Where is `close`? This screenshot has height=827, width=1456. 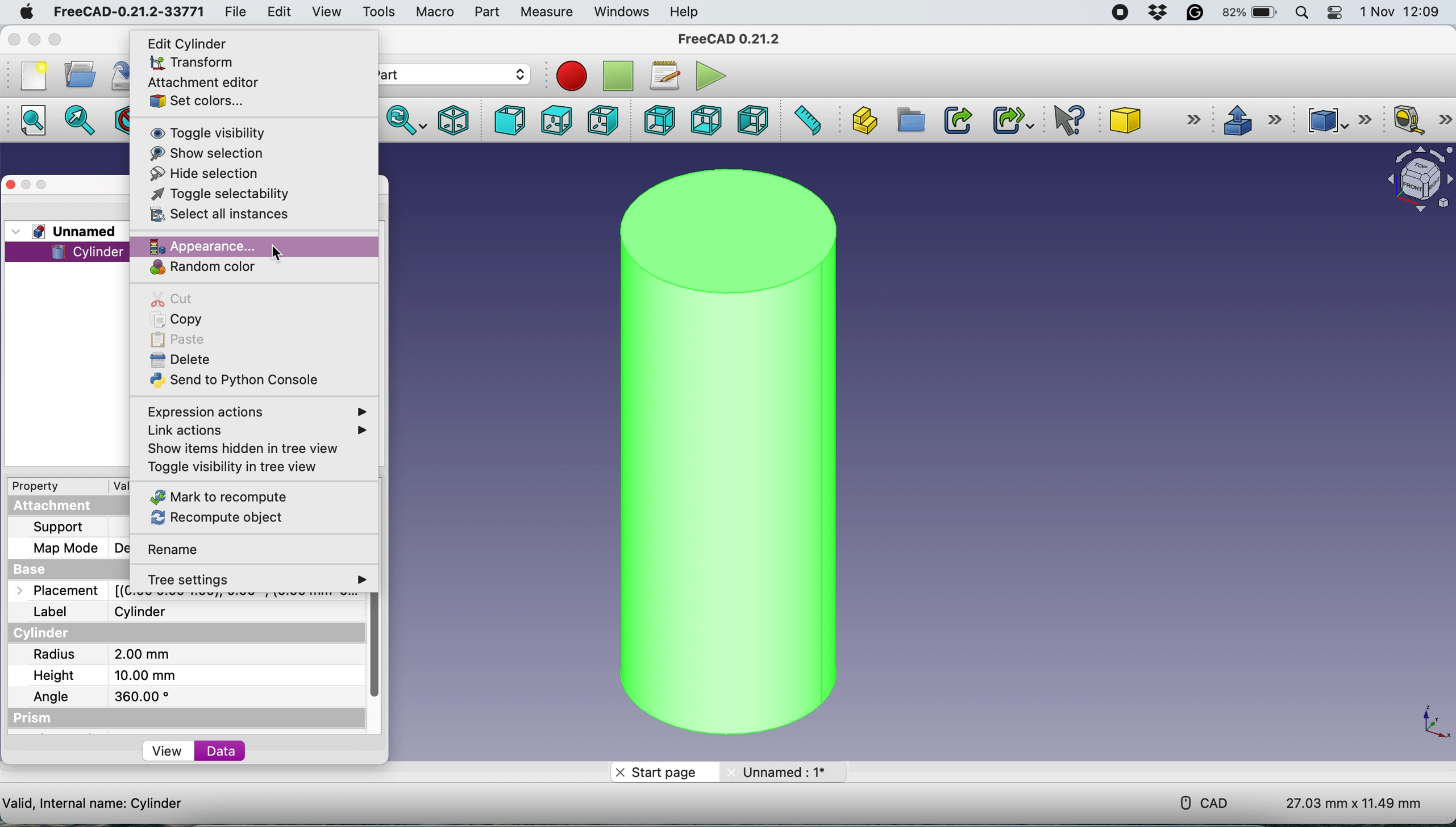
close is located at coordinates (14, 39).